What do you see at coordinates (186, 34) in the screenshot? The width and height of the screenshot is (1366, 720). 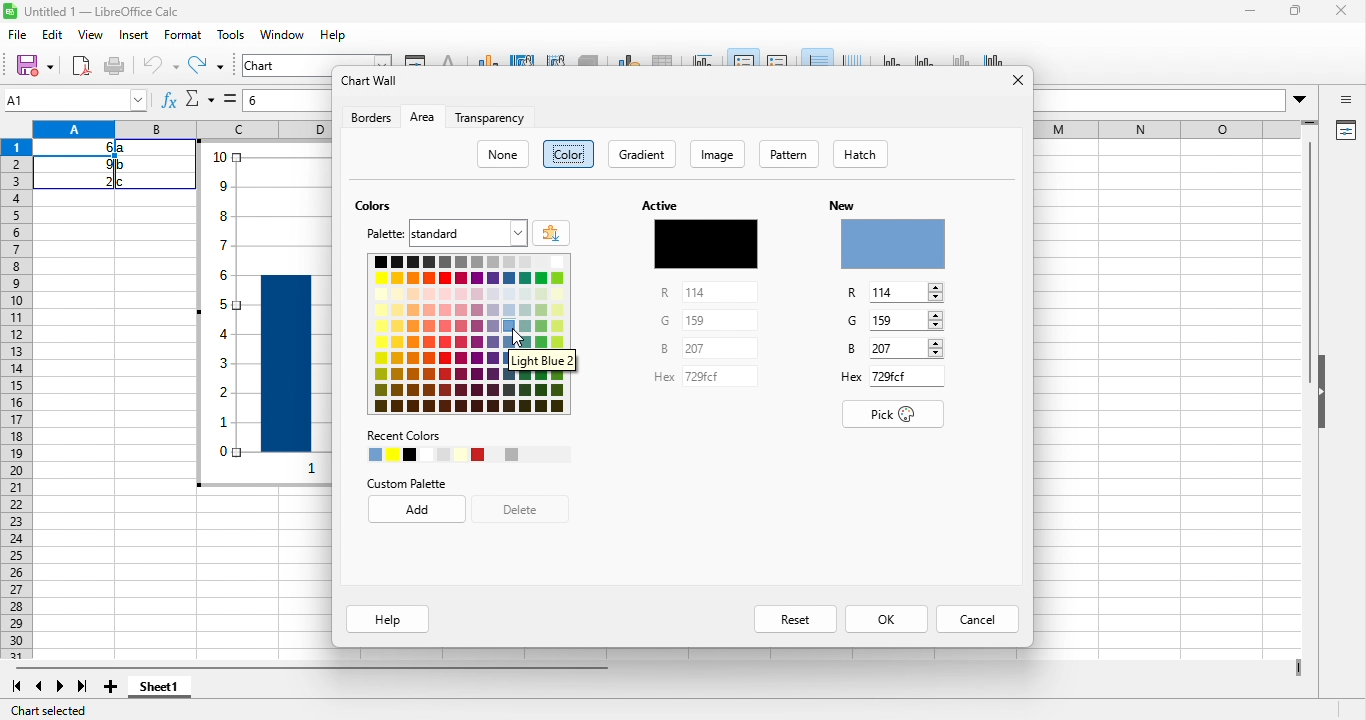 I see `format` at bounding box center [186, 34].